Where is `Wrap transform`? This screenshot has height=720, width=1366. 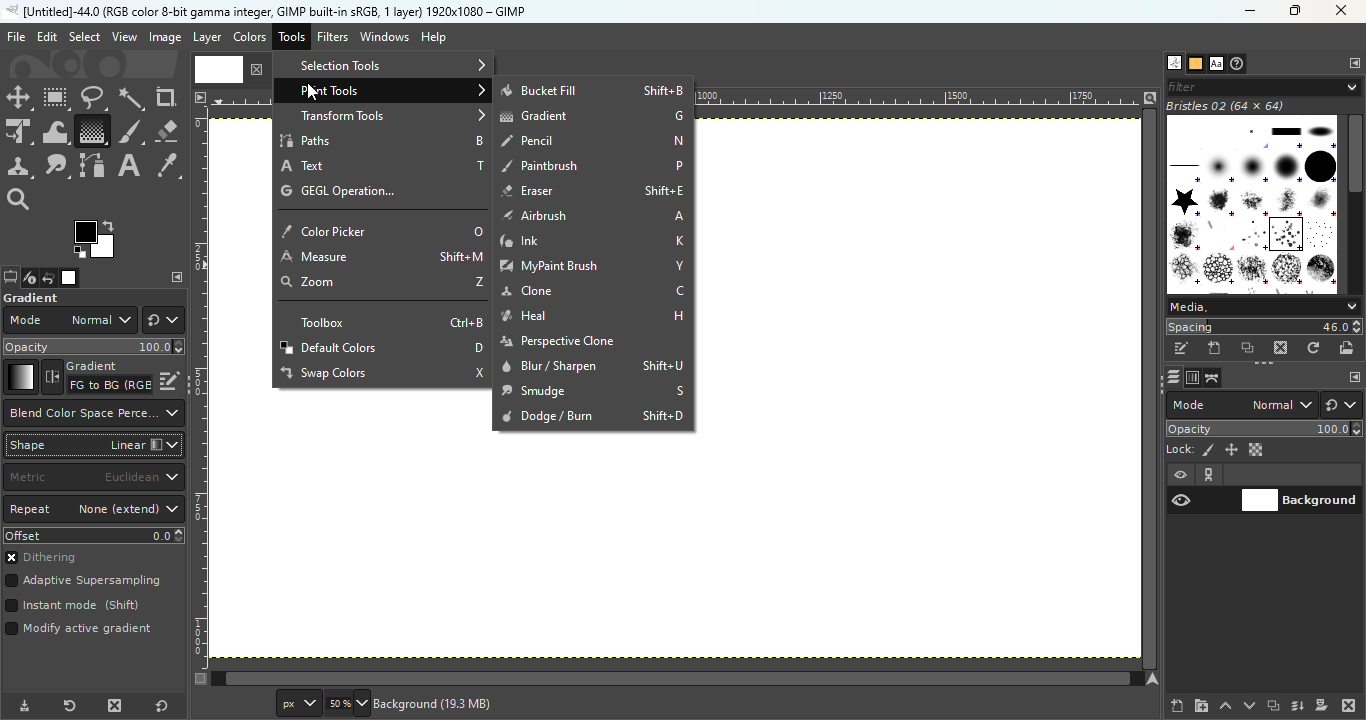 Wrap transform is located at coordinates (53, 131).